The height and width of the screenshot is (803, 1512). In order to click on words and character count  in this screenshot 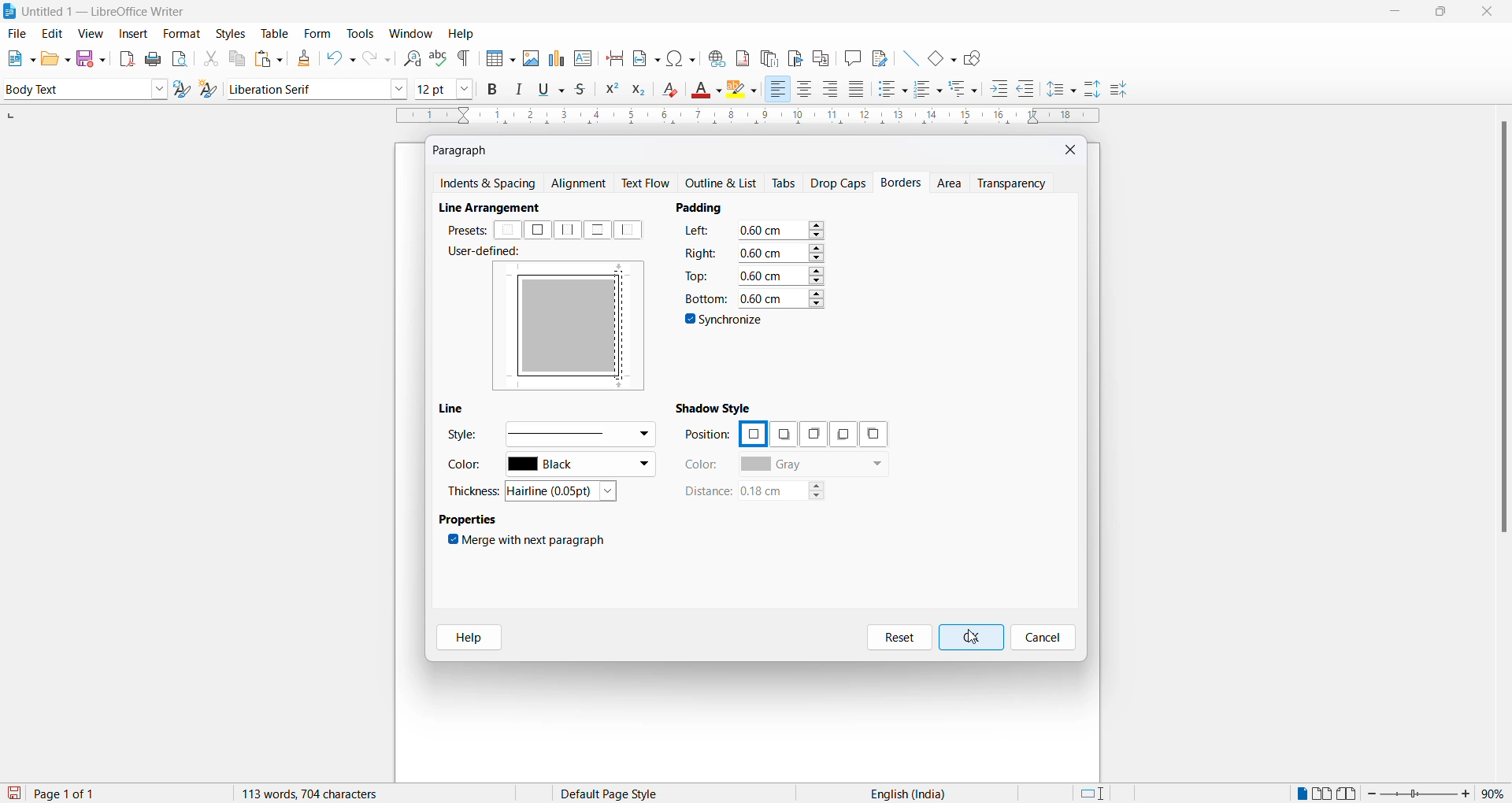, I will do `click(325, 794)`.